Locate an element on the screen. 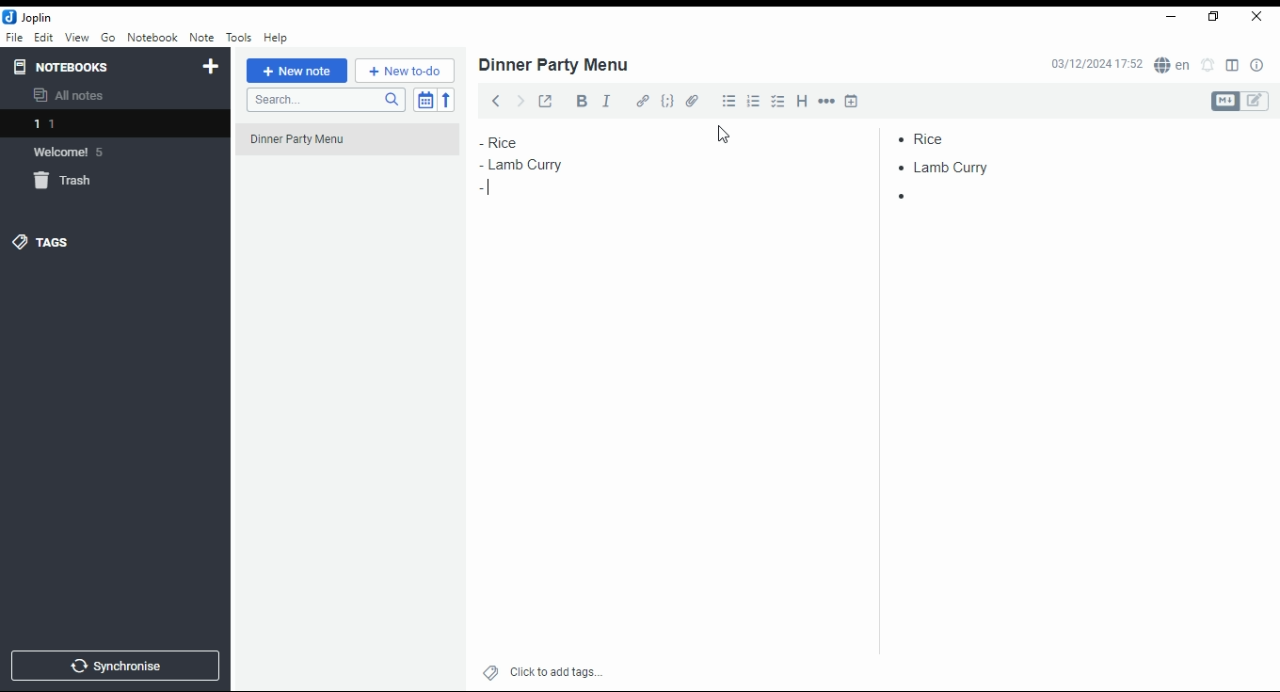  lamb curry is located at coordinates (950, 167).